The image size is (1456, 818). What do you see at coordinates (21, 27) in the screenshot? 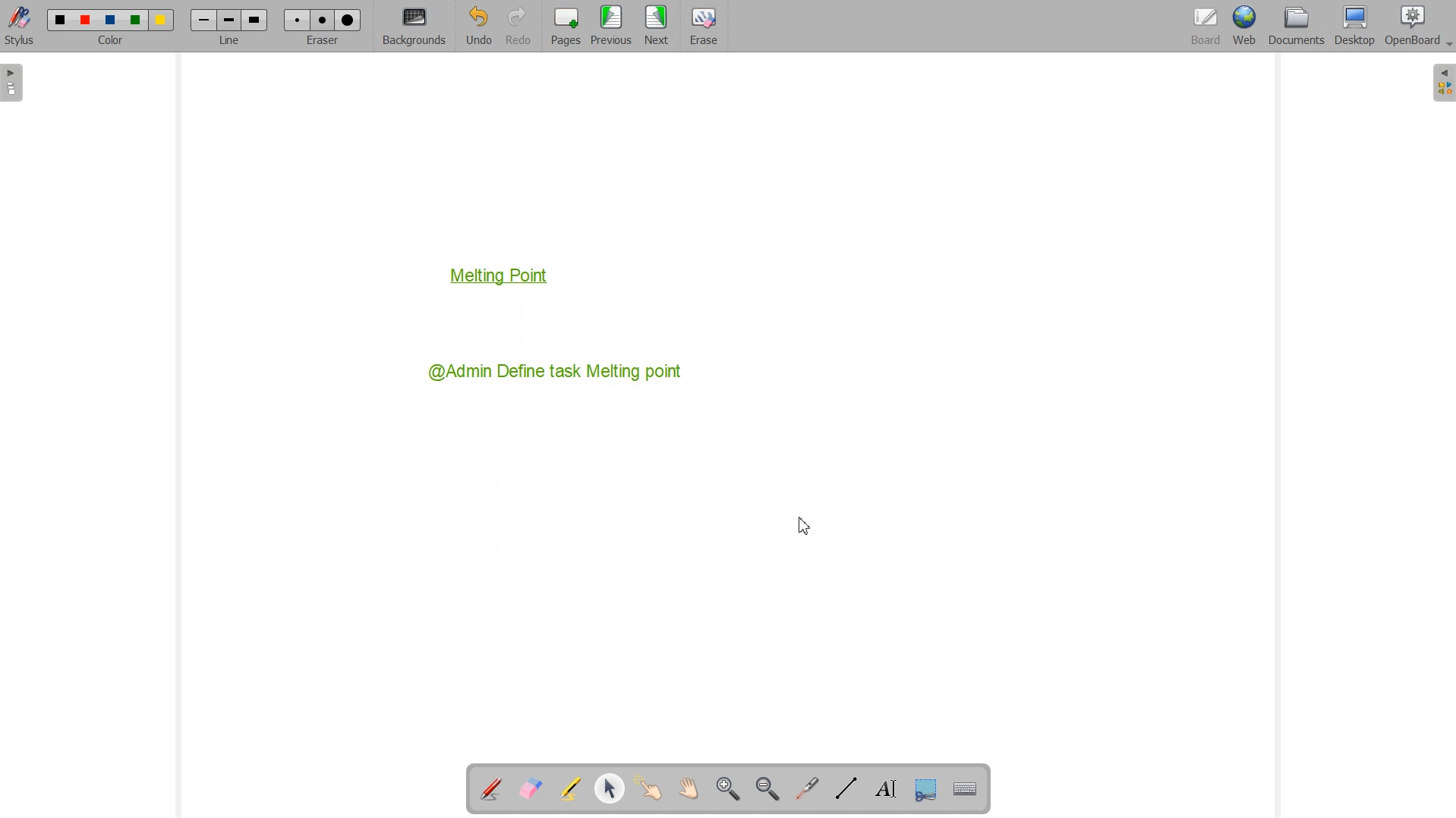
I see `Stylus` at bounding box center [21, 27].